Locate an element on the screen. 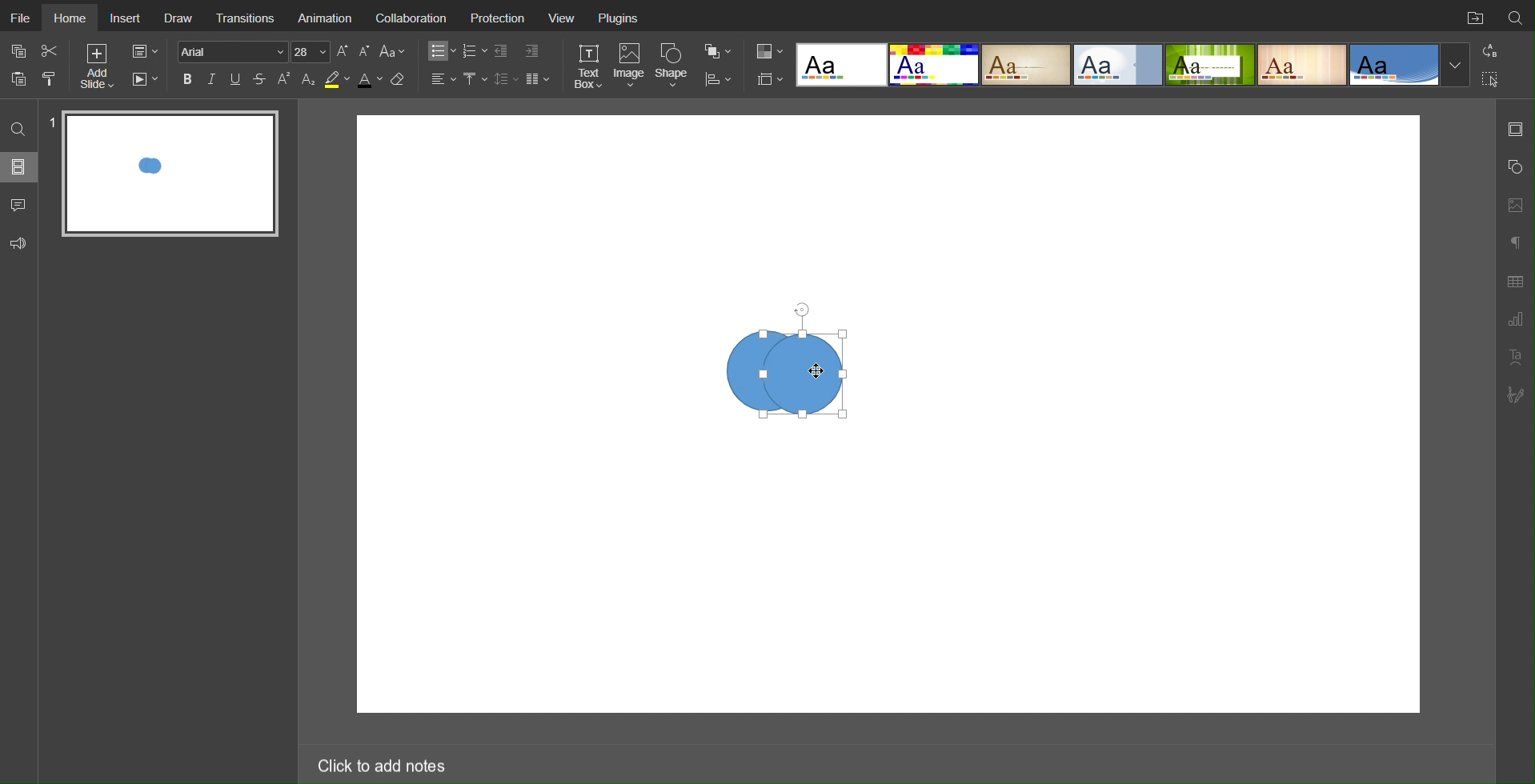 Image resolution: width=1535 pixels, height=784 pixels. Decrease Indent is located at coordinates (503, 51).